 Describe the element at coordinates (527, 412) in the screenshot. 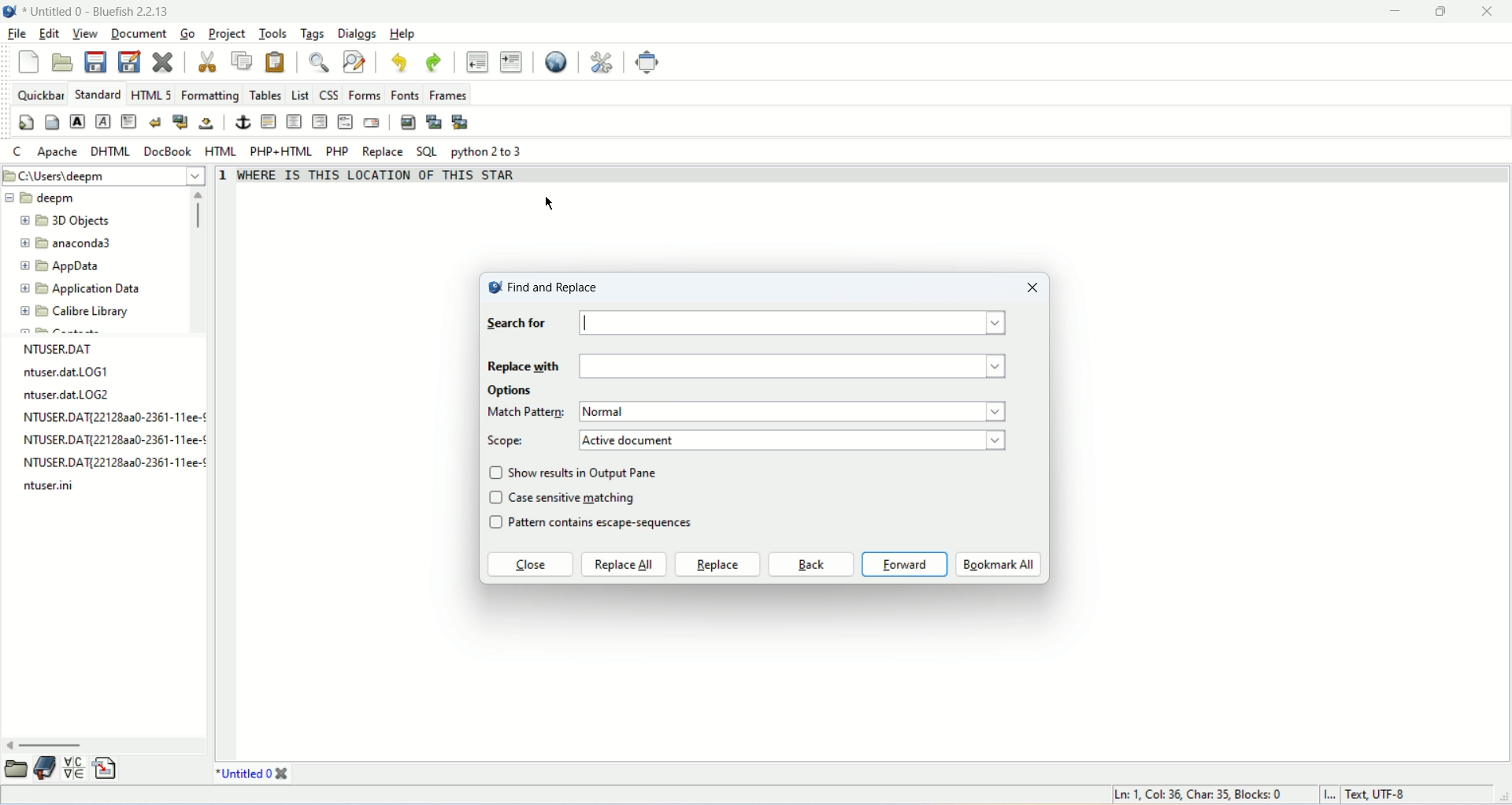

I see `Match pattern` at that location.